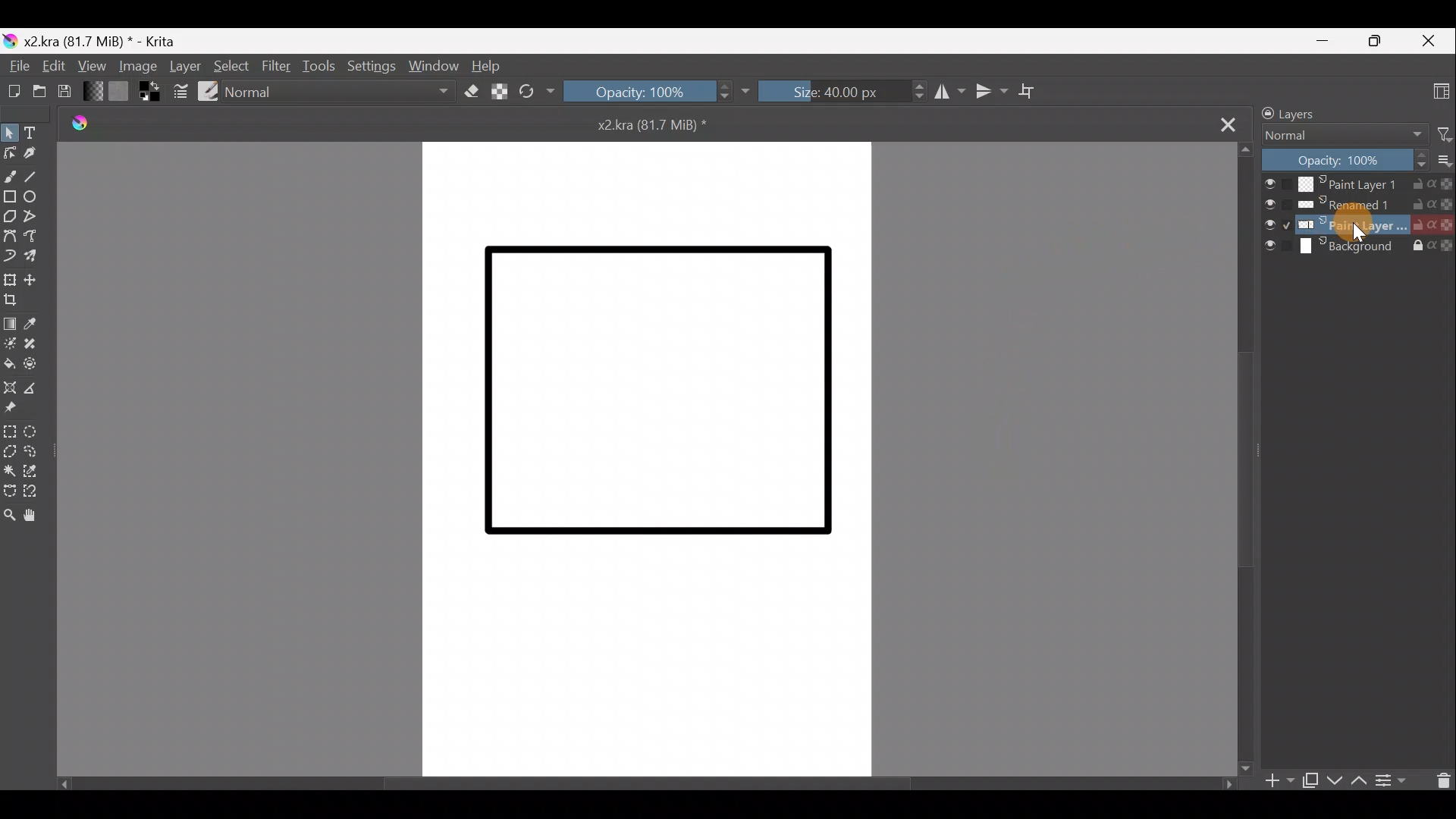 The height and width of the screenshot is (819, 1456). Describe the element at coordinates (134, 65) in the screenshot. I see `Image` at that location.